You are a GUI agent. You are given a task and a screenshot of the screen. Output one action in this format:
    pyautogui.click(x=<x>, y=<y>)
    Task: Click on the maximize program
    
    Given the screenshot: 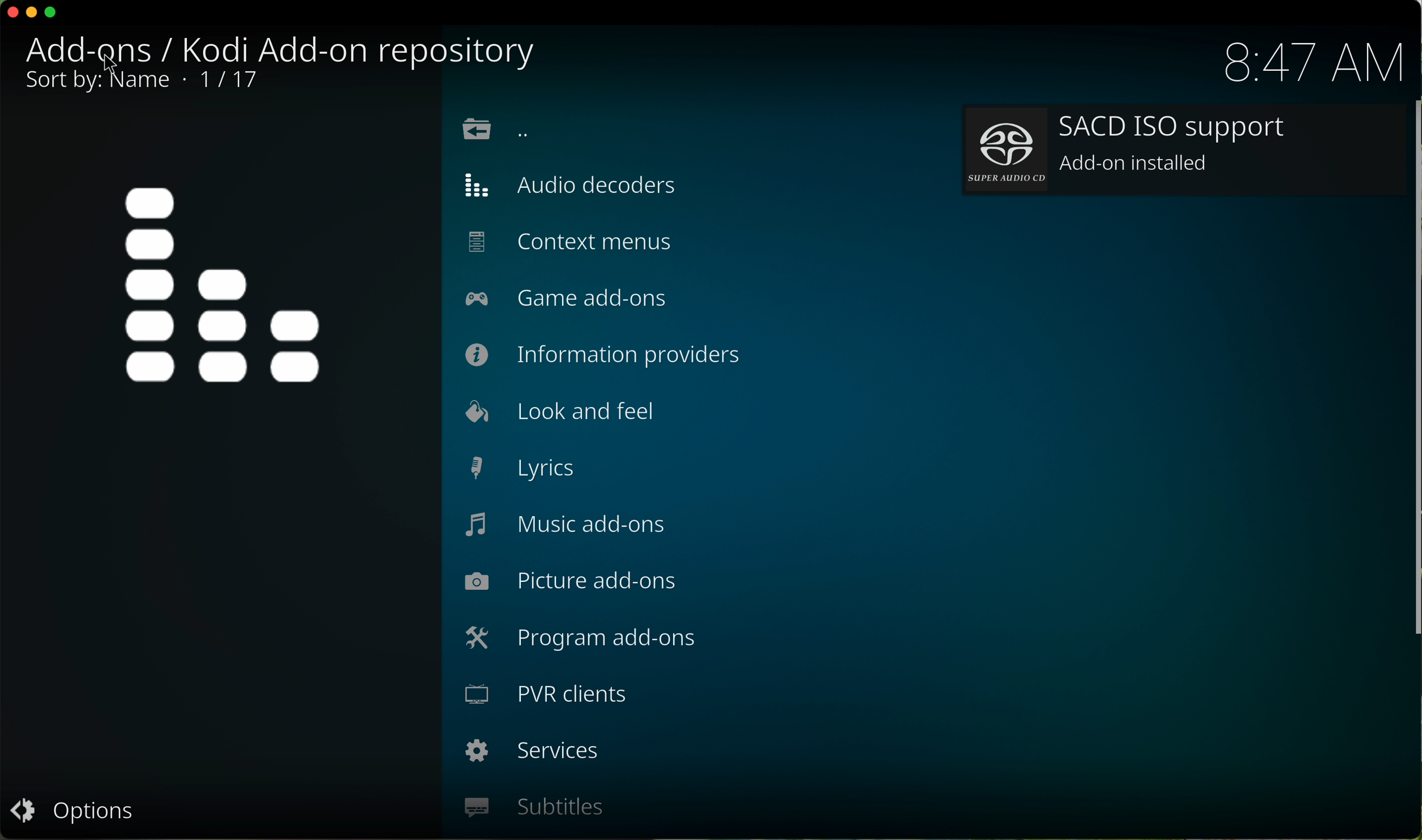 What is the action you would take?
    pyautogui.click(x=52, y=14)
    